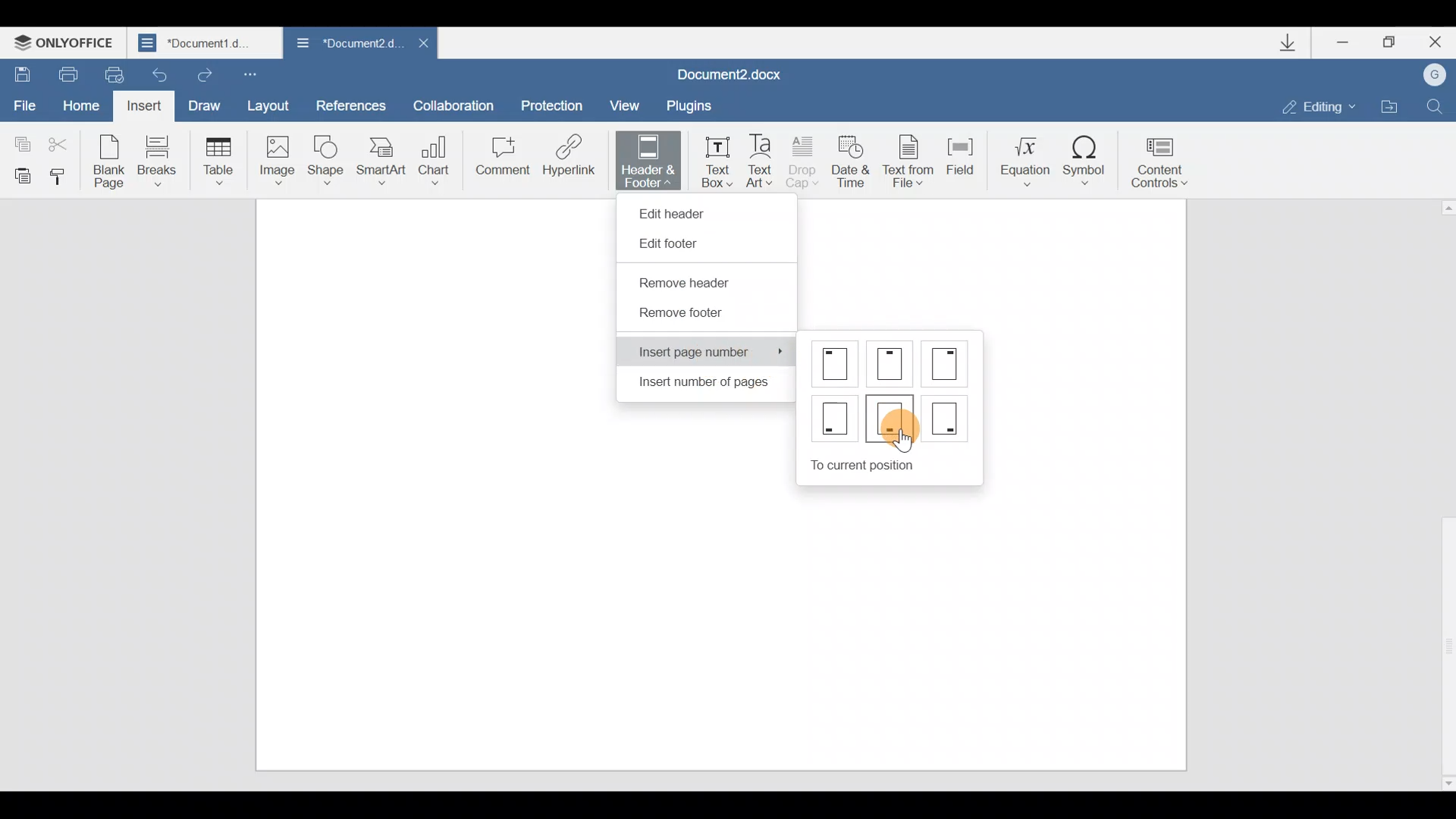 The image size is (1456, 819). What do you see at coordinates (892, 417) in the screenshot?
I see `Position 5` at bounding box center [892, 417].